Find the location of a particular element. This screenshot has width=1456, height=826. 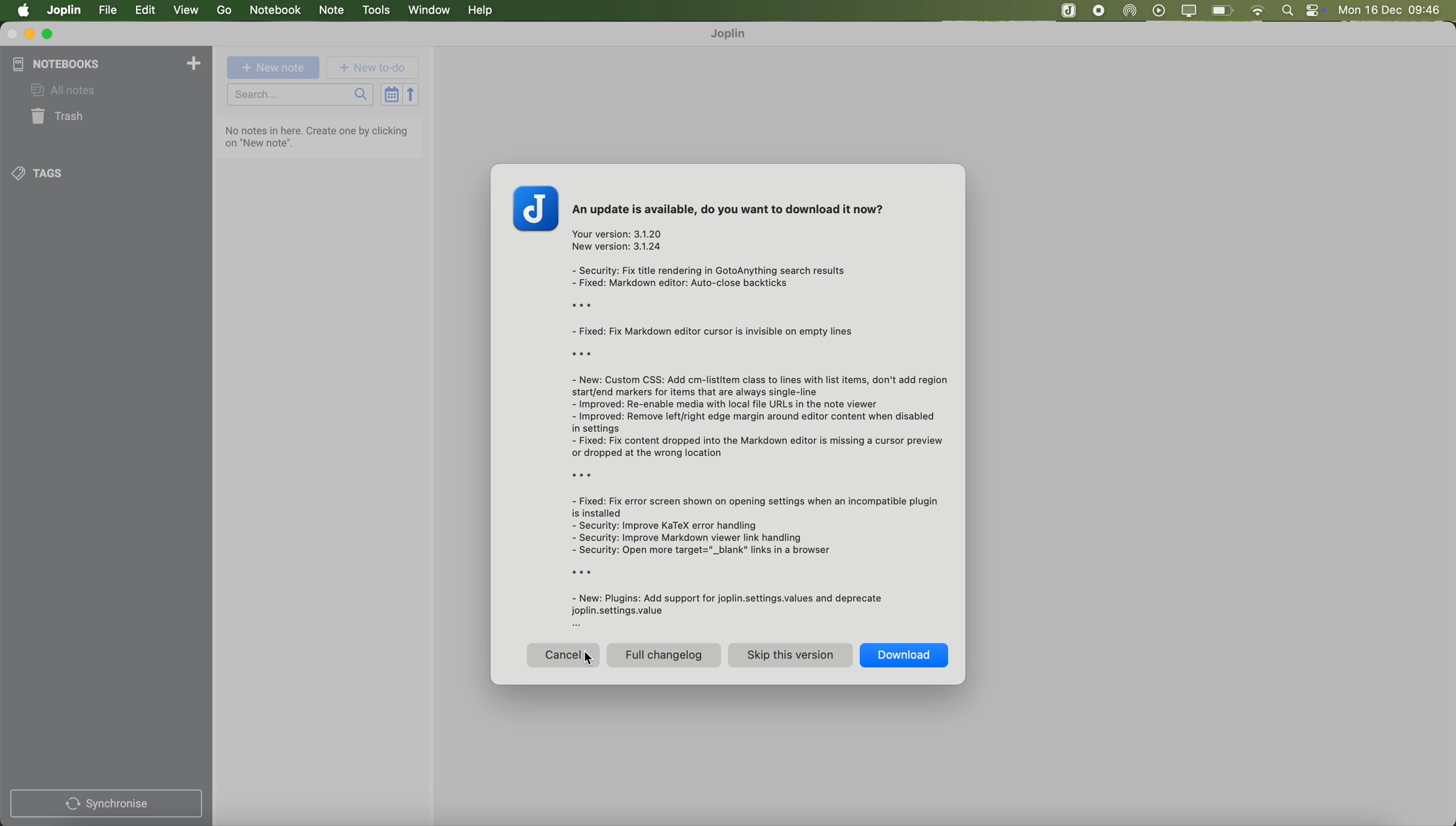

all notes is located at coordinates (70, 88).